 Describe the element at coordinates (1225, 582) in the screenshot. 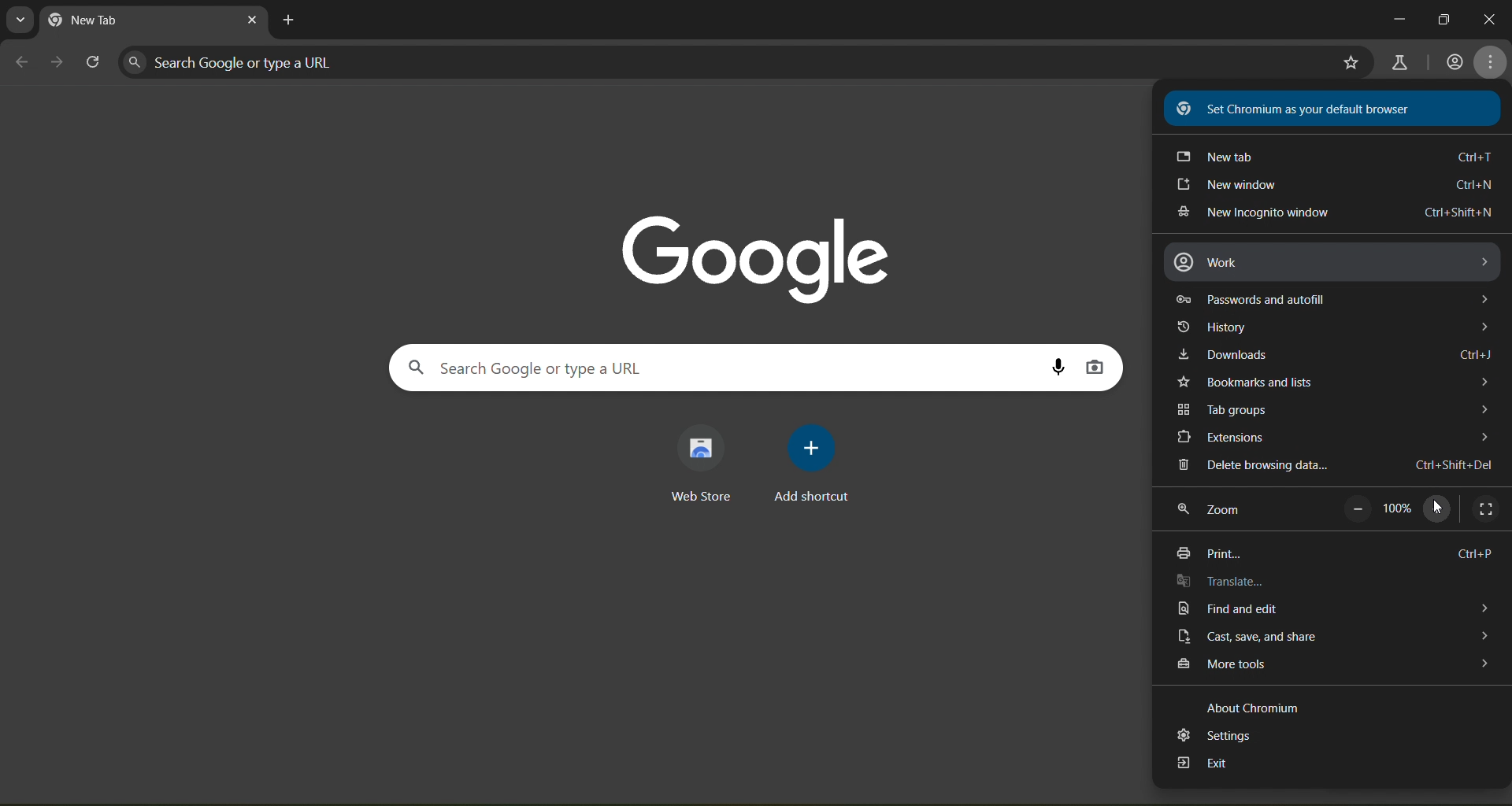

I see `translate` at that location.